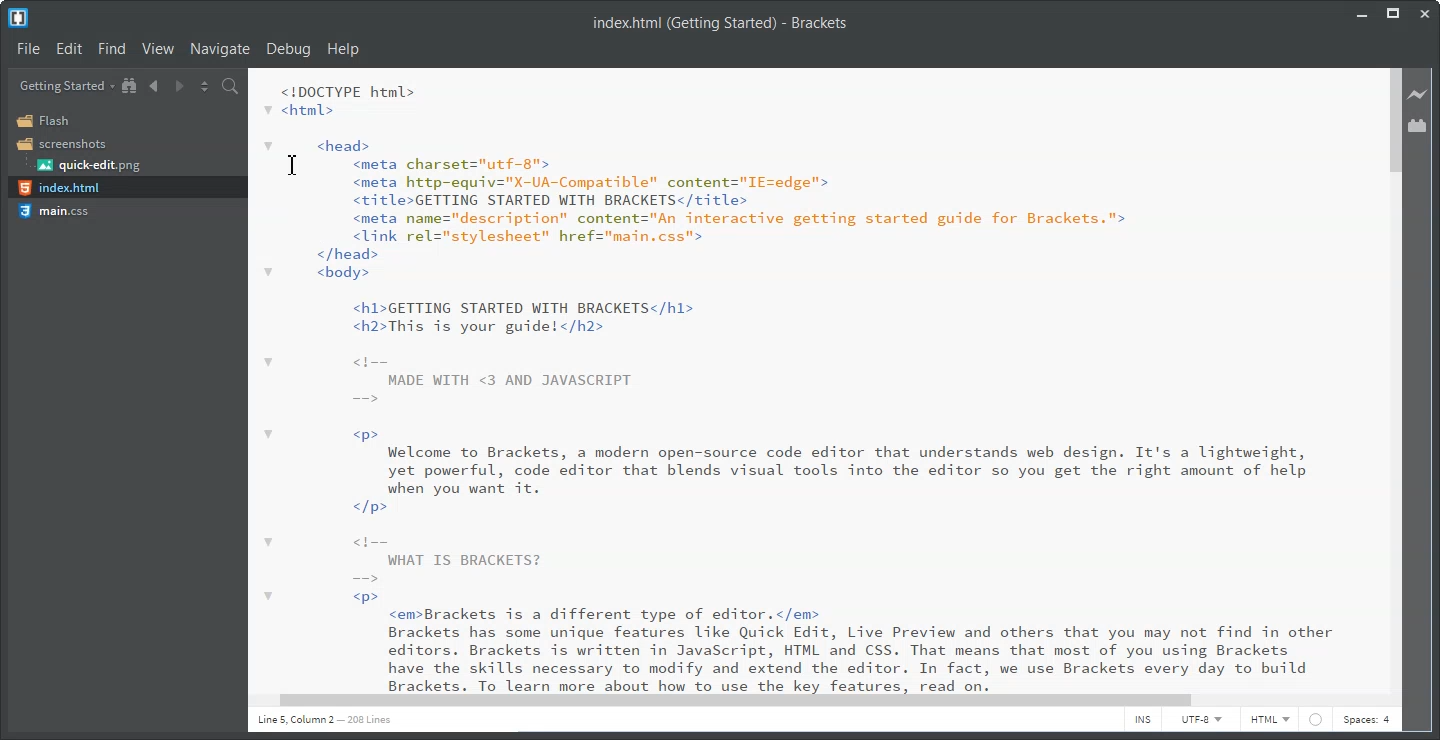  Describe the element at coordinates (1142, 720) in the screenshot. I see `INS` at that location.